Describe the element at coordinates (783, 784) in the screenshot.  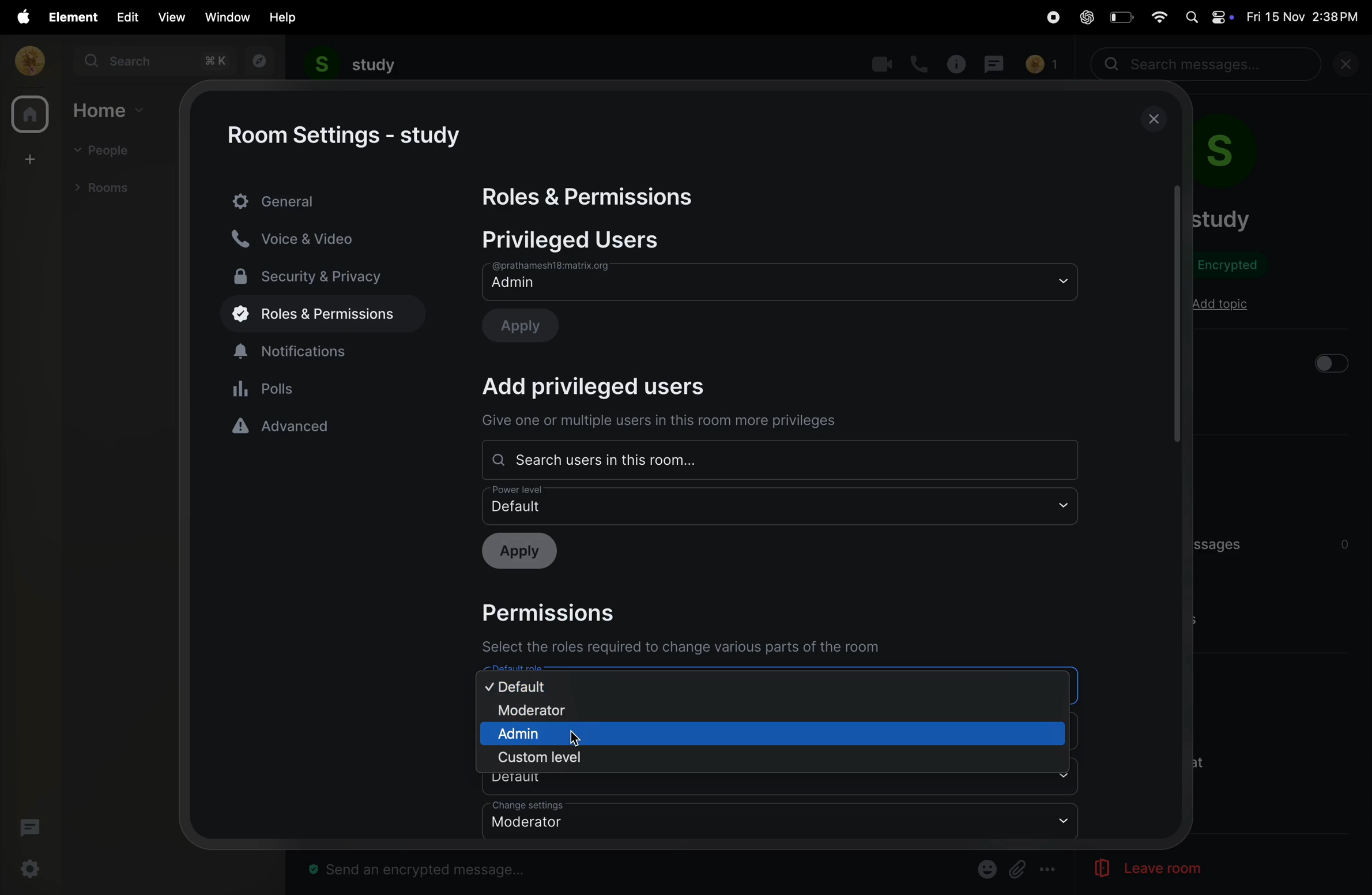
I see `Default` at that location.